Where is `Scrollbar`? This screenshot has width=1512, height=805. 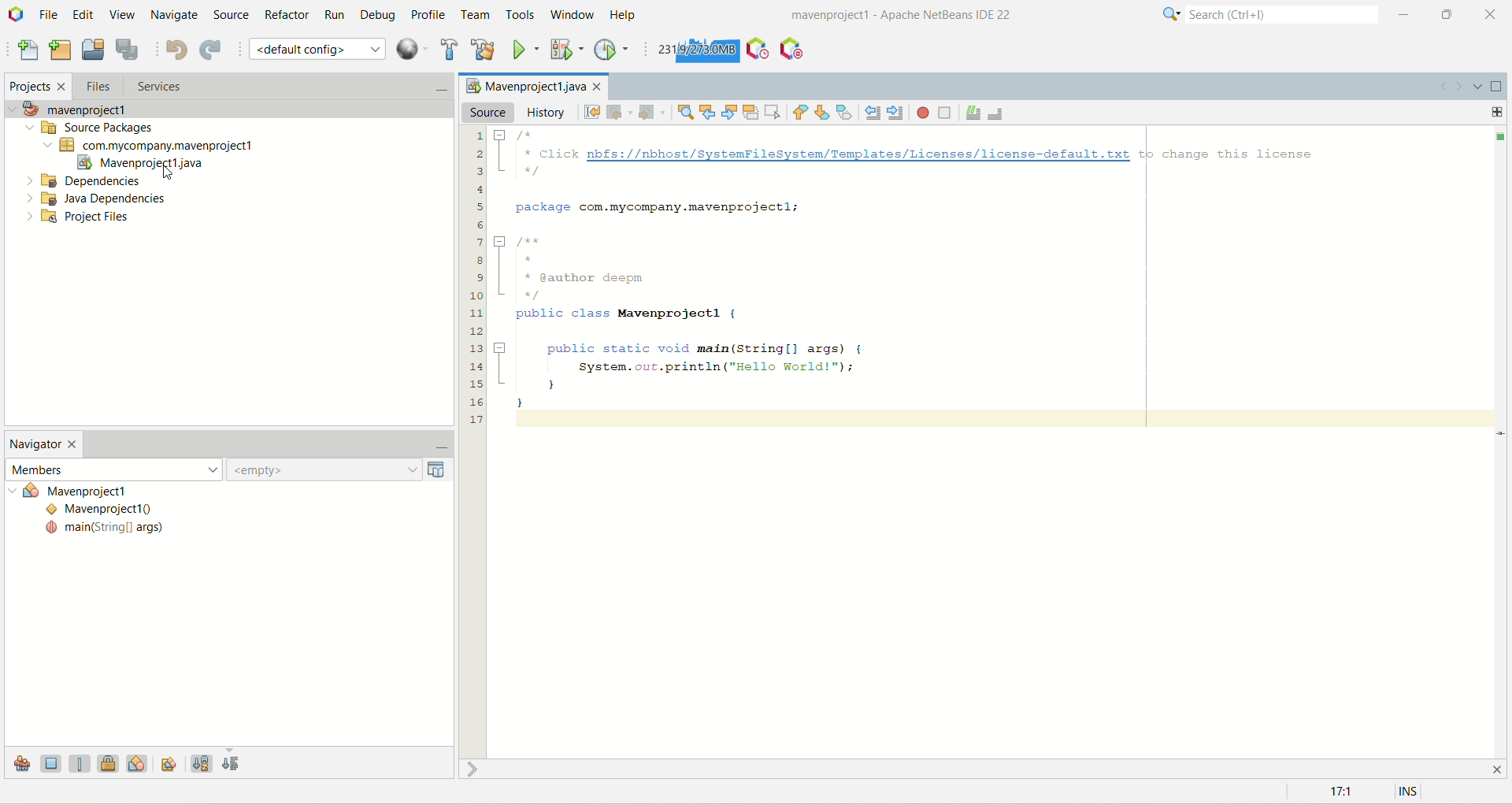 Scrollbar is located at coordinates (1503, 441).